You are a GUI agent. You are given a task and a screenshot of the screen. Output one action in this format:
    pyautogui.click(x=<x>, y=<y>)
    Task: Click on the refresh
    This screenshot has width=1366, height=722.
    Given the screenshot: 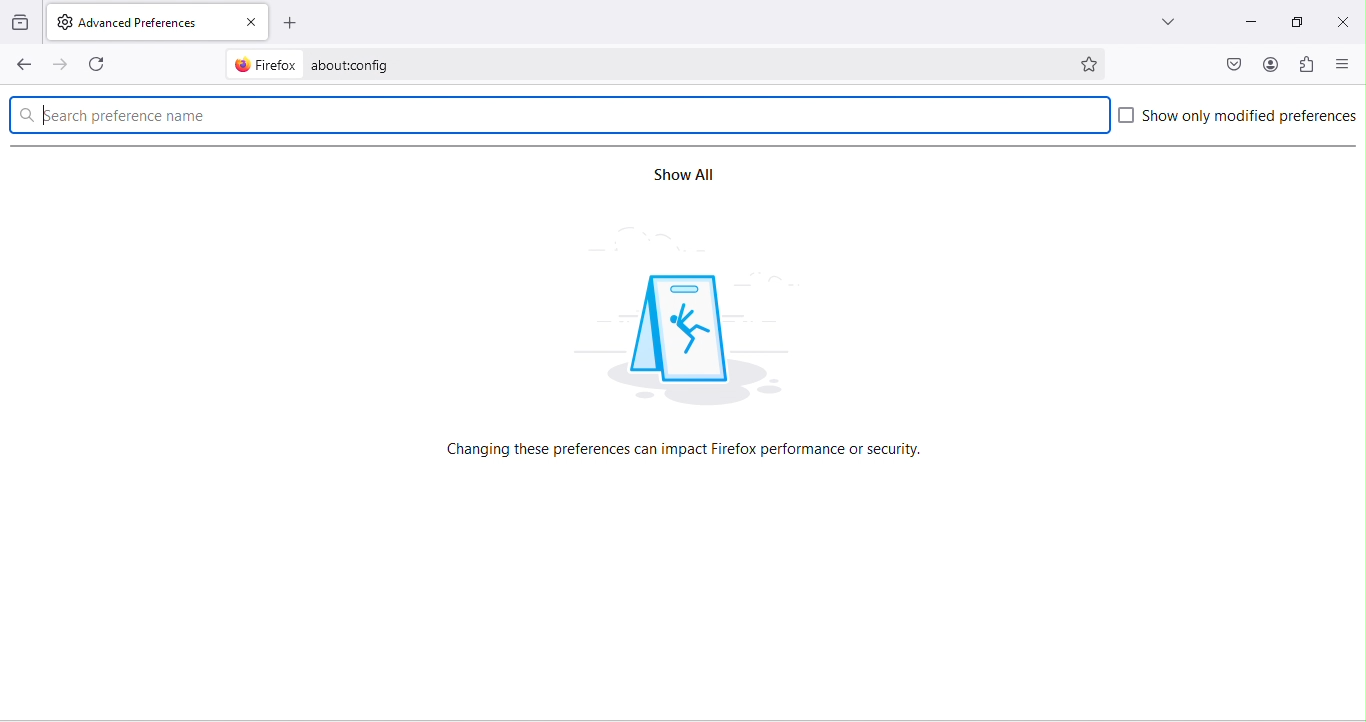 What is the action you would take?
    pyautogui.click(x=101, y=62)
    